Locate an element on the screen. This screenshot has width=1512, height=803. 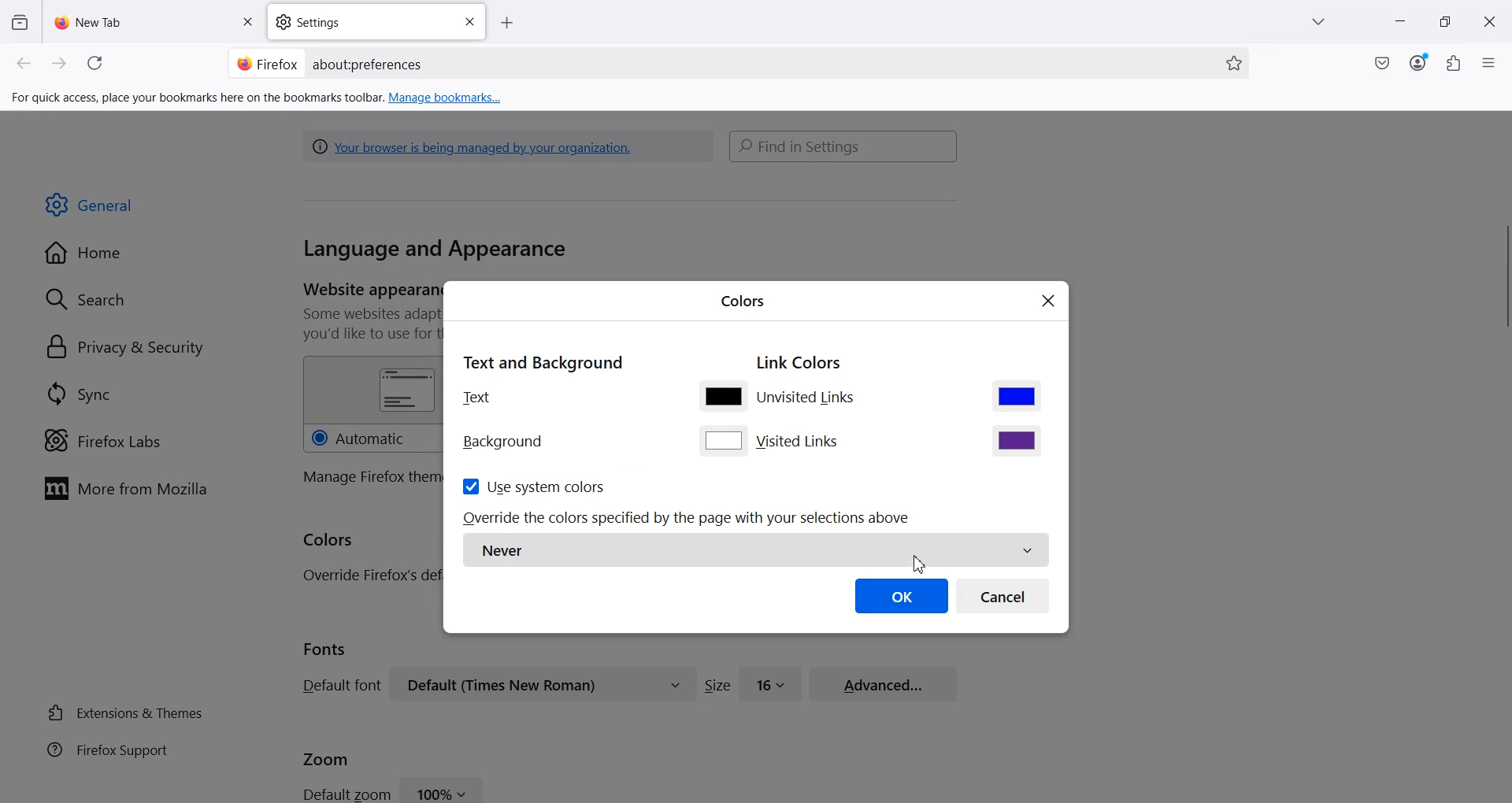
Text and Background is located at coordinates (542, 361).